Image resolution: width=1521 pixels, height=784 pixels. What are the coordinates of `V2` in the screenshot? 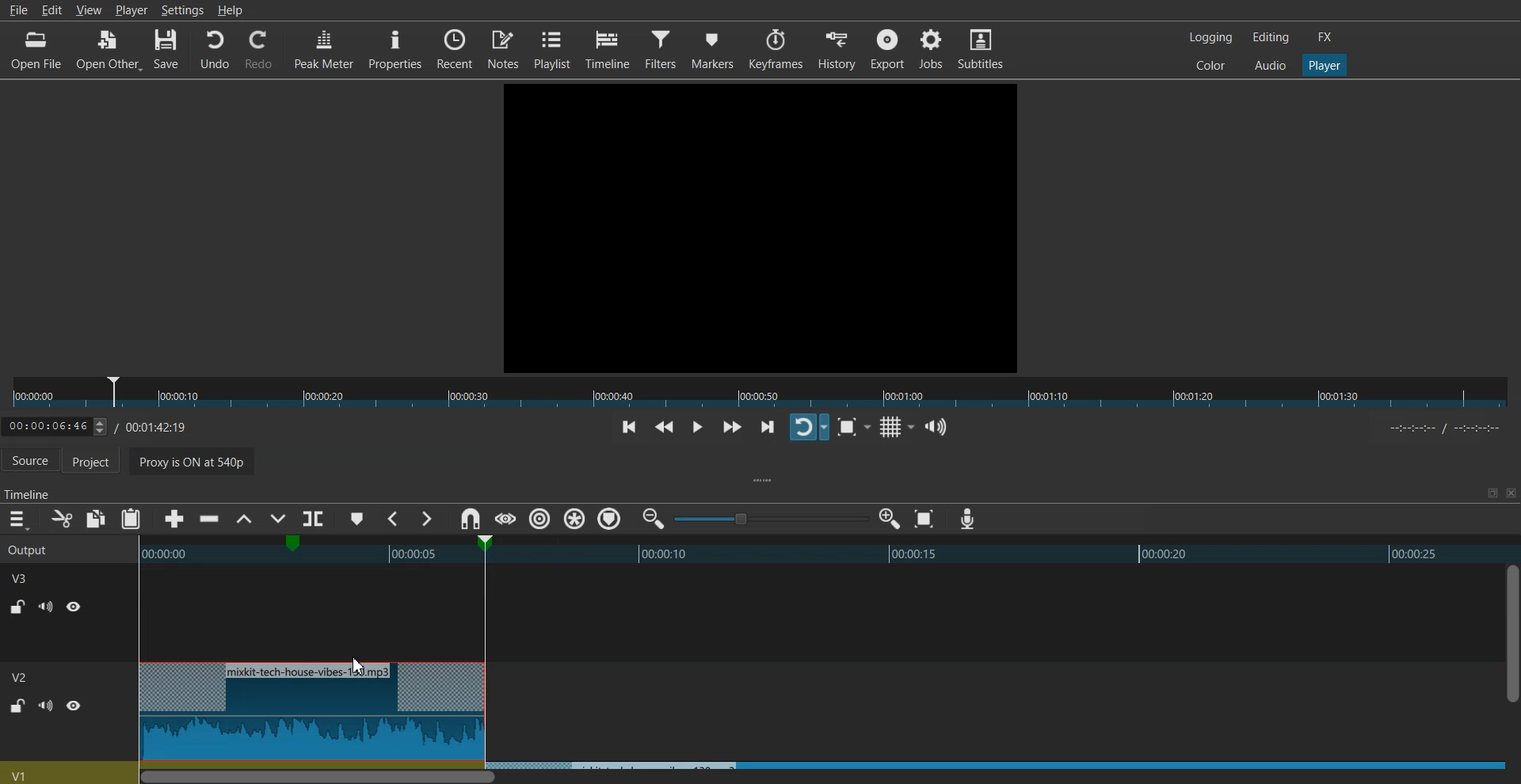 It's located at (28, 577).